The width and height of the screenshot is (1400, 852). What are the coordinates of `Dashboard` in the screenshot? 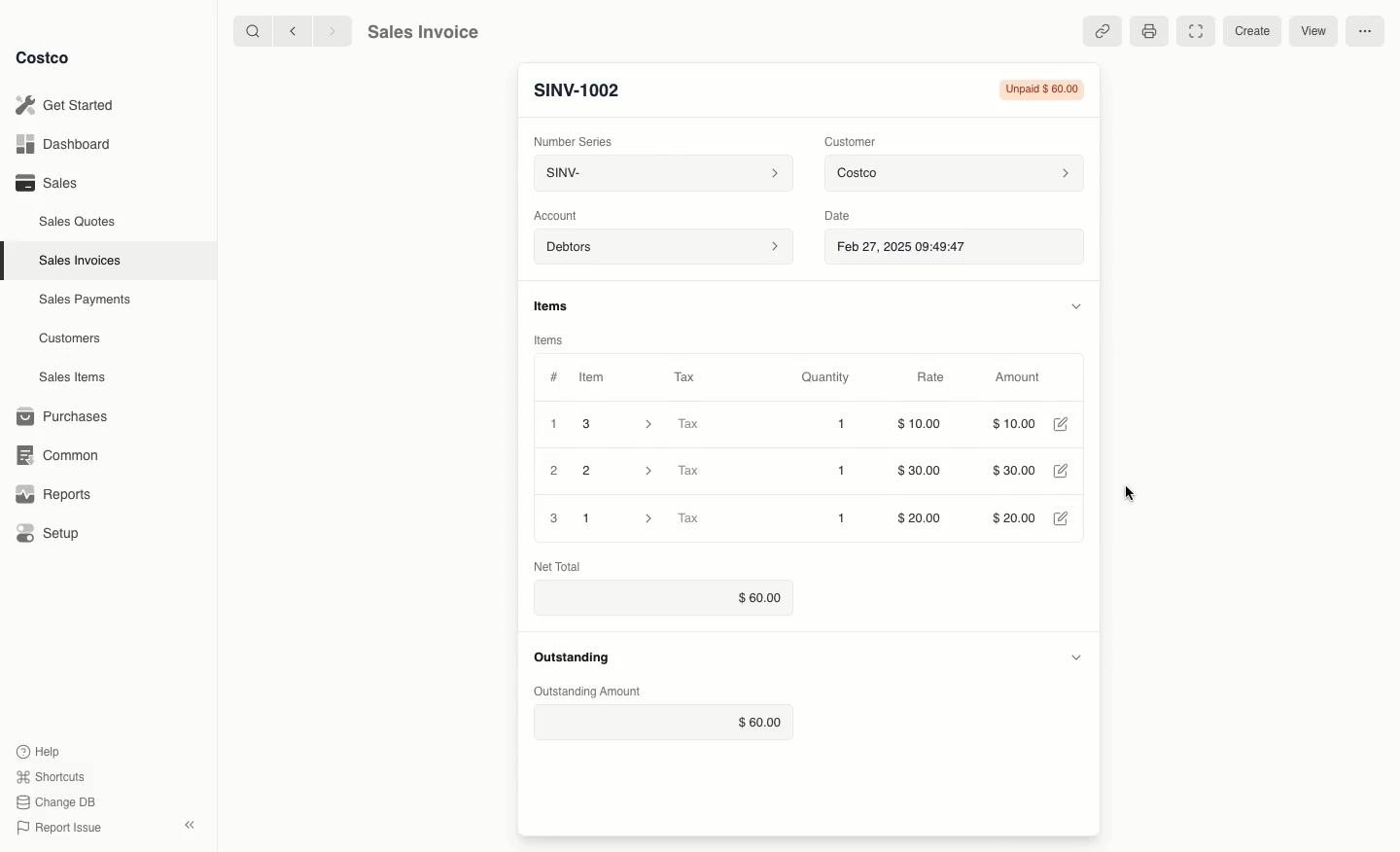 It's located at (68, 145).